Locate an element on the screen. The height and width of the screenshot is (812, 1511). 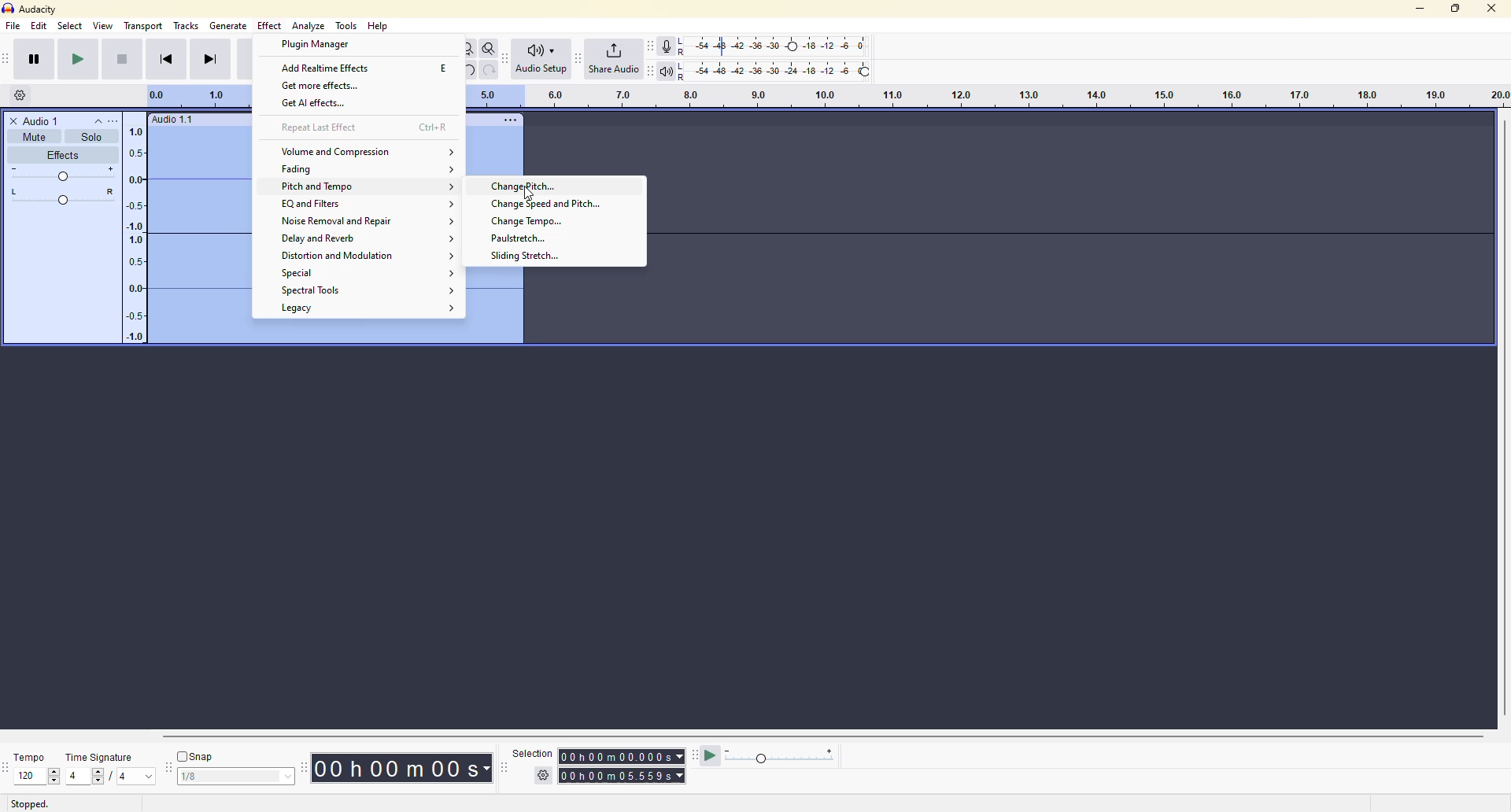
tools is located at coordinates (345, 25).